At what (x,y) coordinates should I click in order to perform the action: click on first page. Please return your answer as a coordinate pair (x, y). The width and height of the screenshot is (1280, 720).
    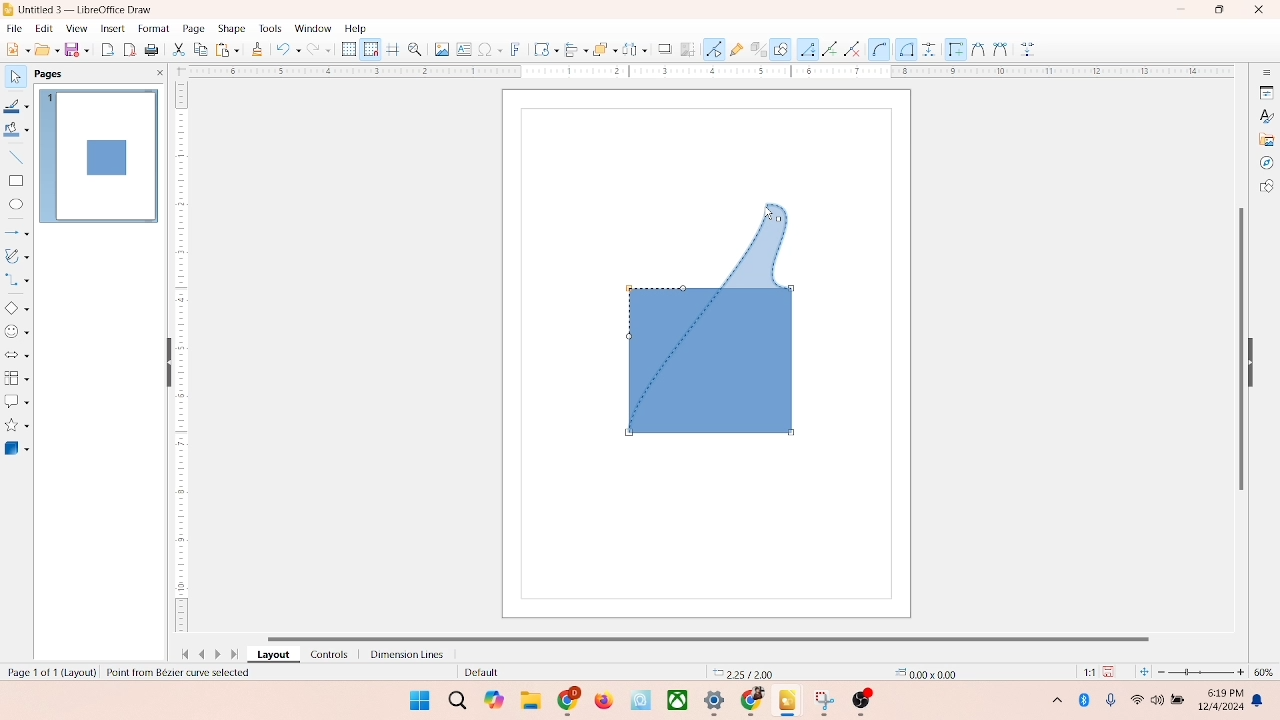
    Looking at the image, I should click on (181, 652).